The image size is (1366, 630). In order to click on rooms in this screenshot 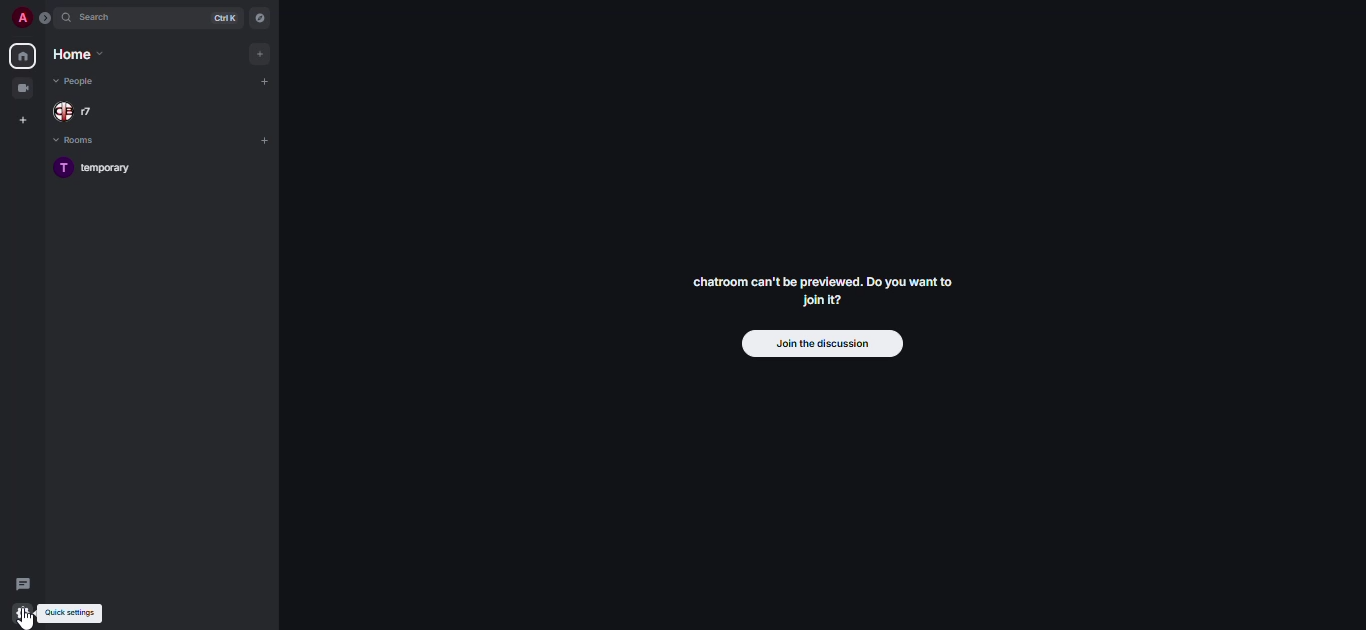, I will do `click(89, 141)`.